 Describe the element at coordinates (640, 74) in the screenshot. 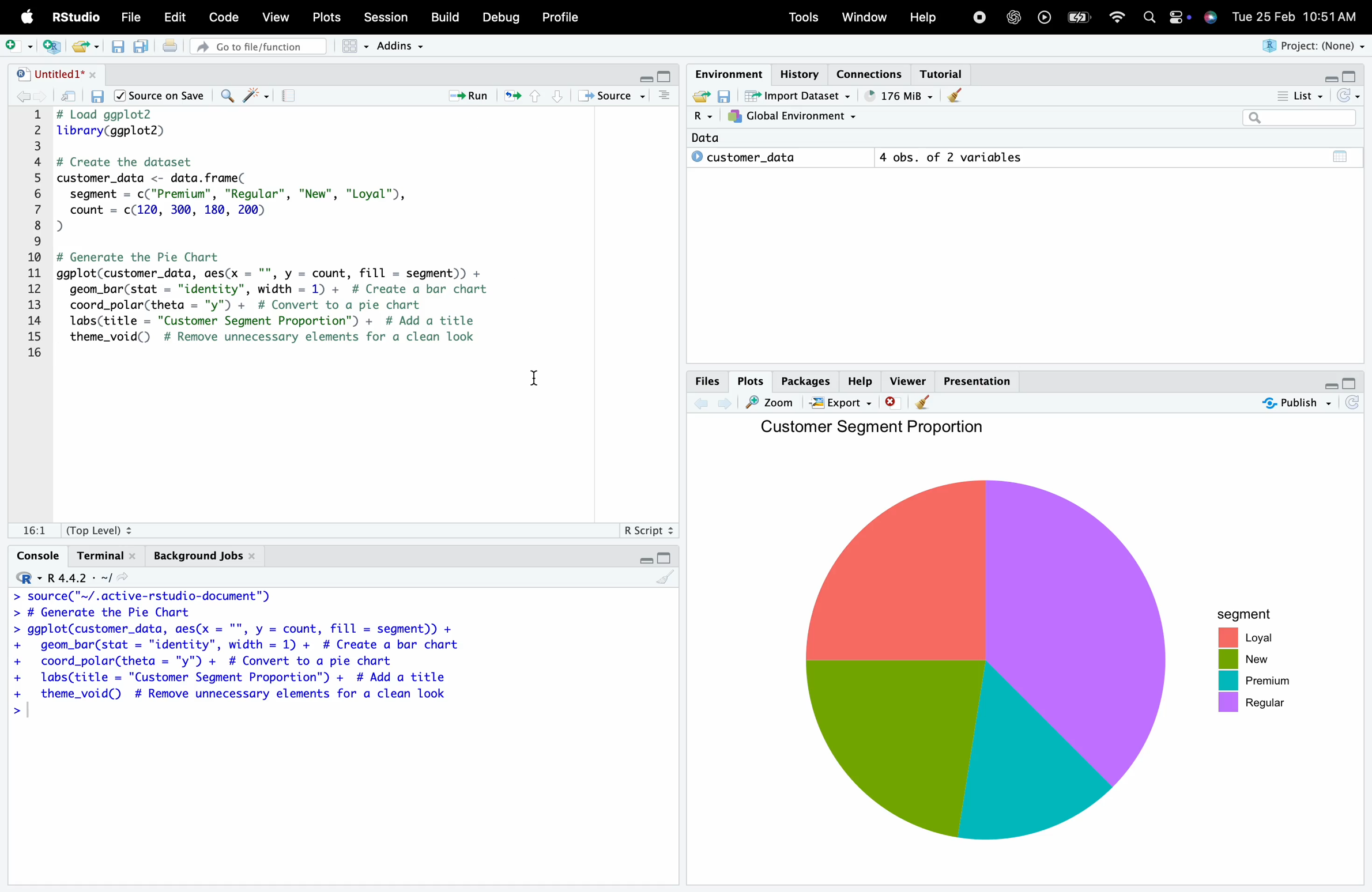

I see `minimise` at that location.